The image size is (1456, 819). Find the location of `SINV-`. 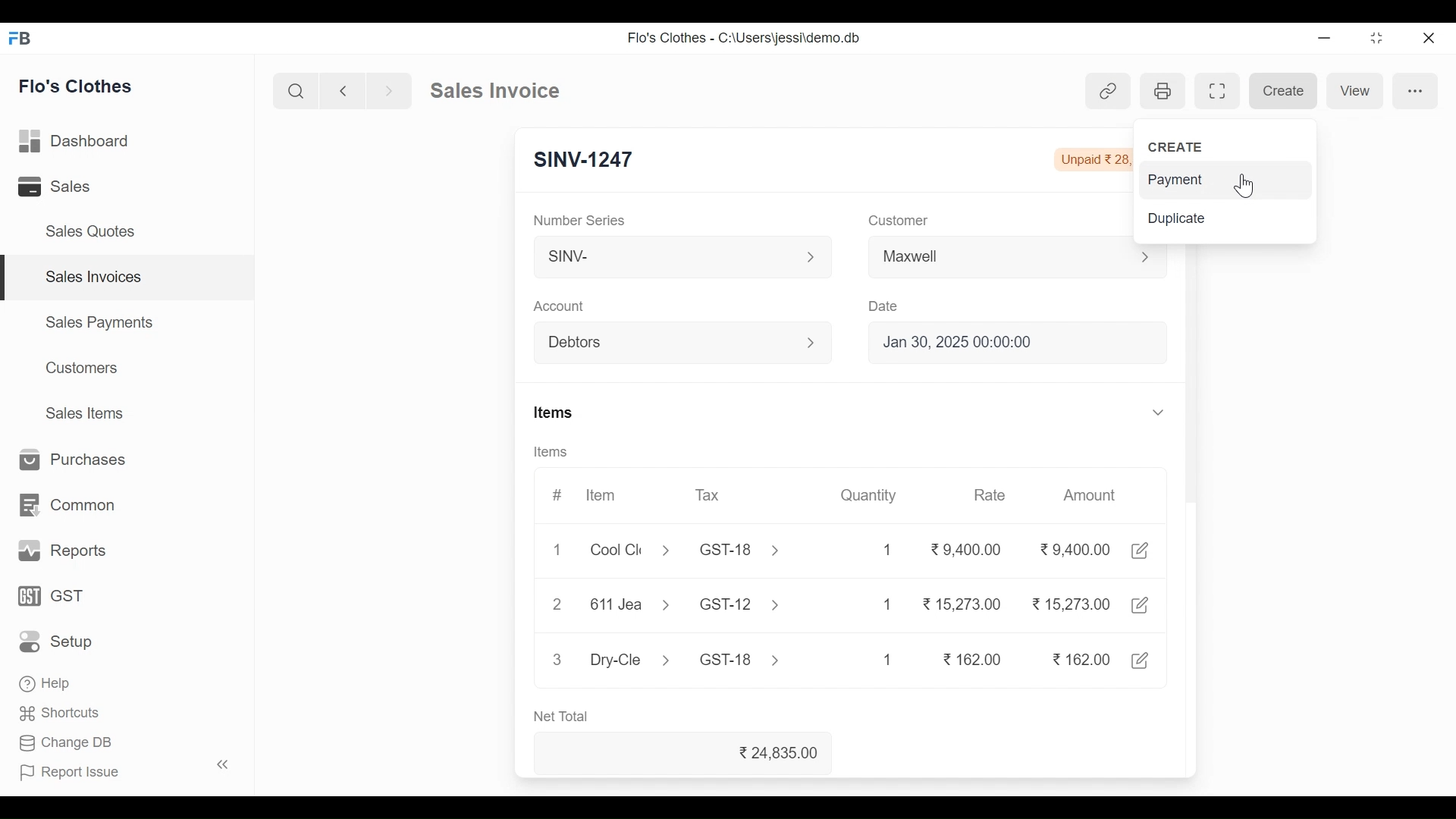

SINV- is located at coordinates (669, 257).